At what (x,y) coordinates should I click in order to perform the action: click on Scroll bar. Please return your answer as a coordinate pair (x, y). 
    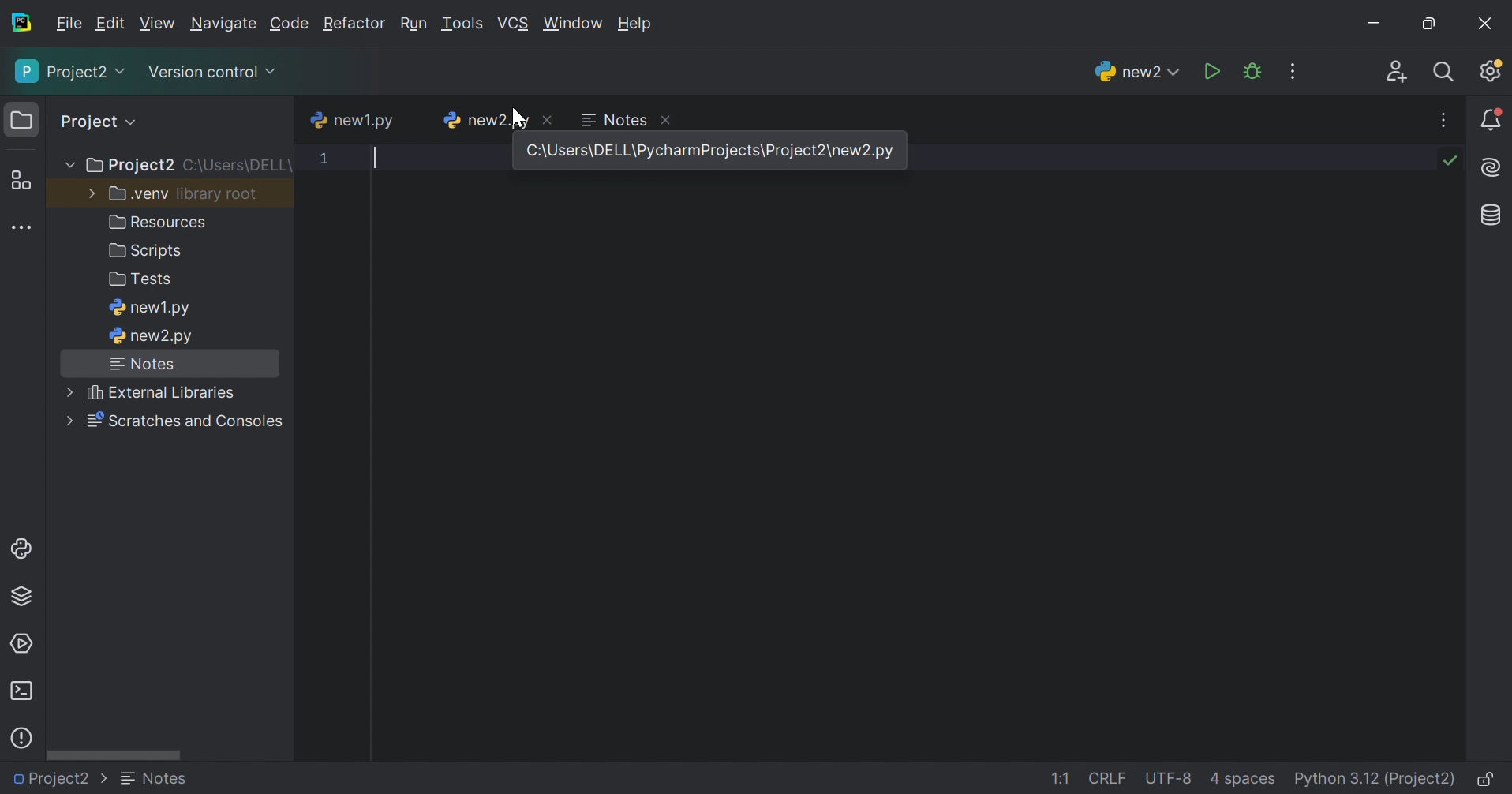
    Looking at the image, I should click on (114, 757).